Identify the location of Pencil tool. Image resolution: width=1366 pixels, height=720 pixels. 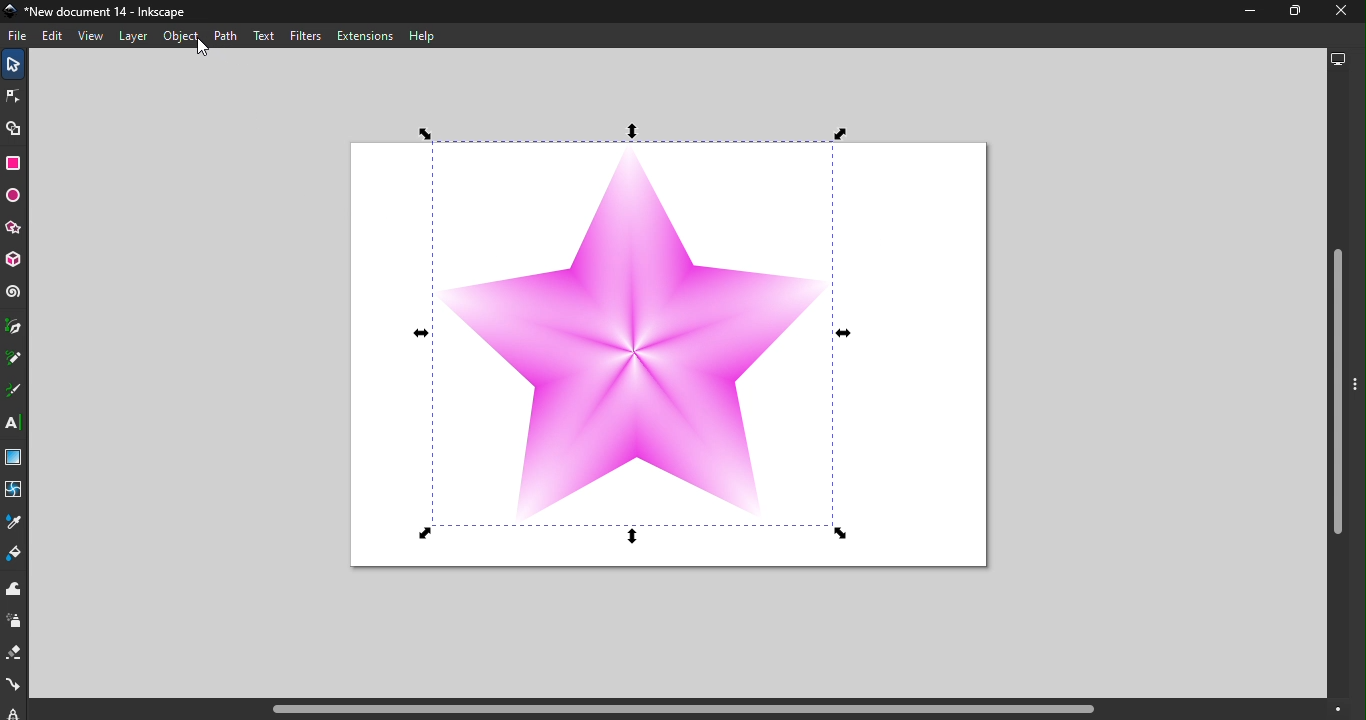
(14, 357).